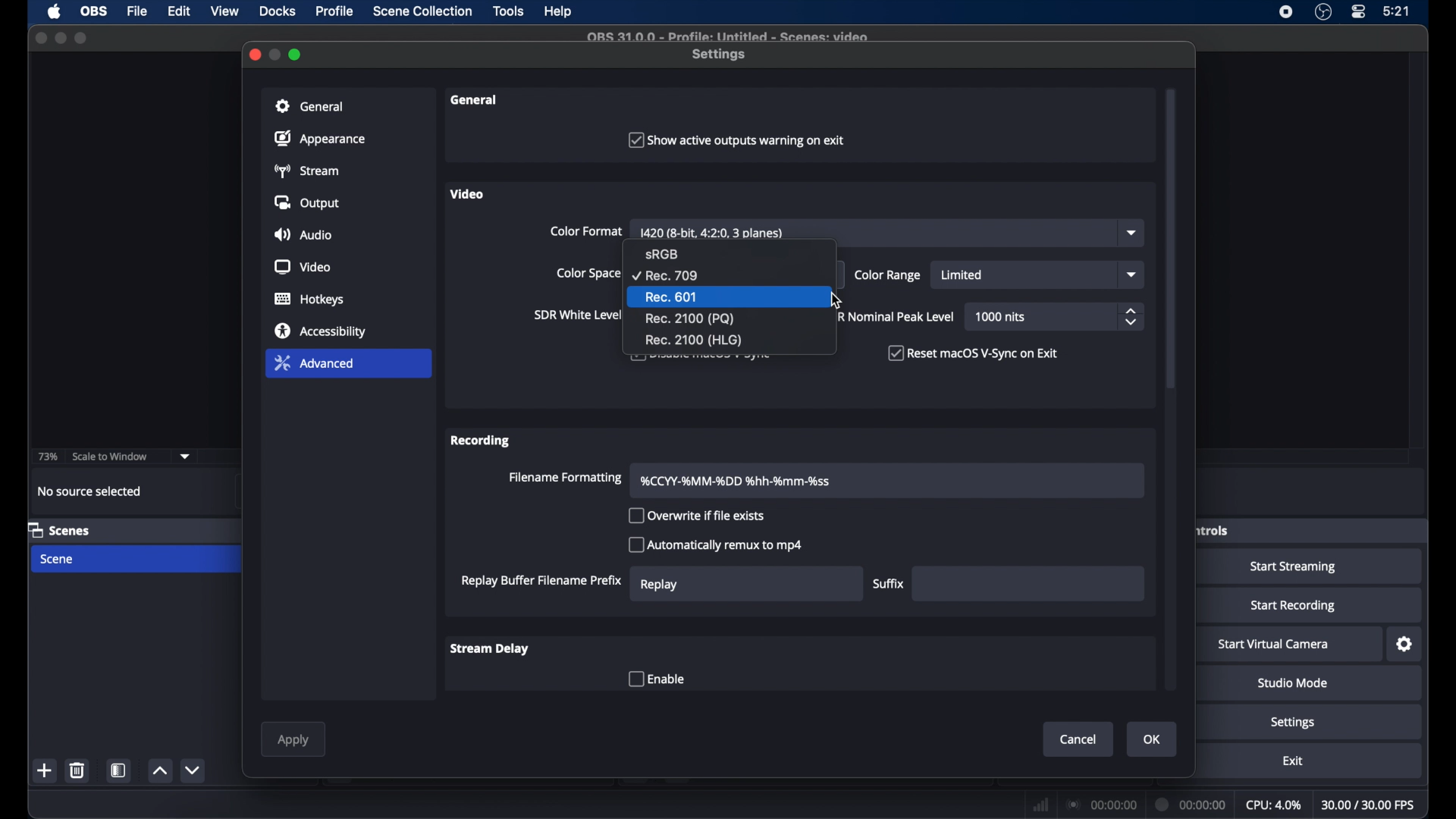  Describe the element at coordinates (61, 38) in the screenshot. I see `minimize` at that location.